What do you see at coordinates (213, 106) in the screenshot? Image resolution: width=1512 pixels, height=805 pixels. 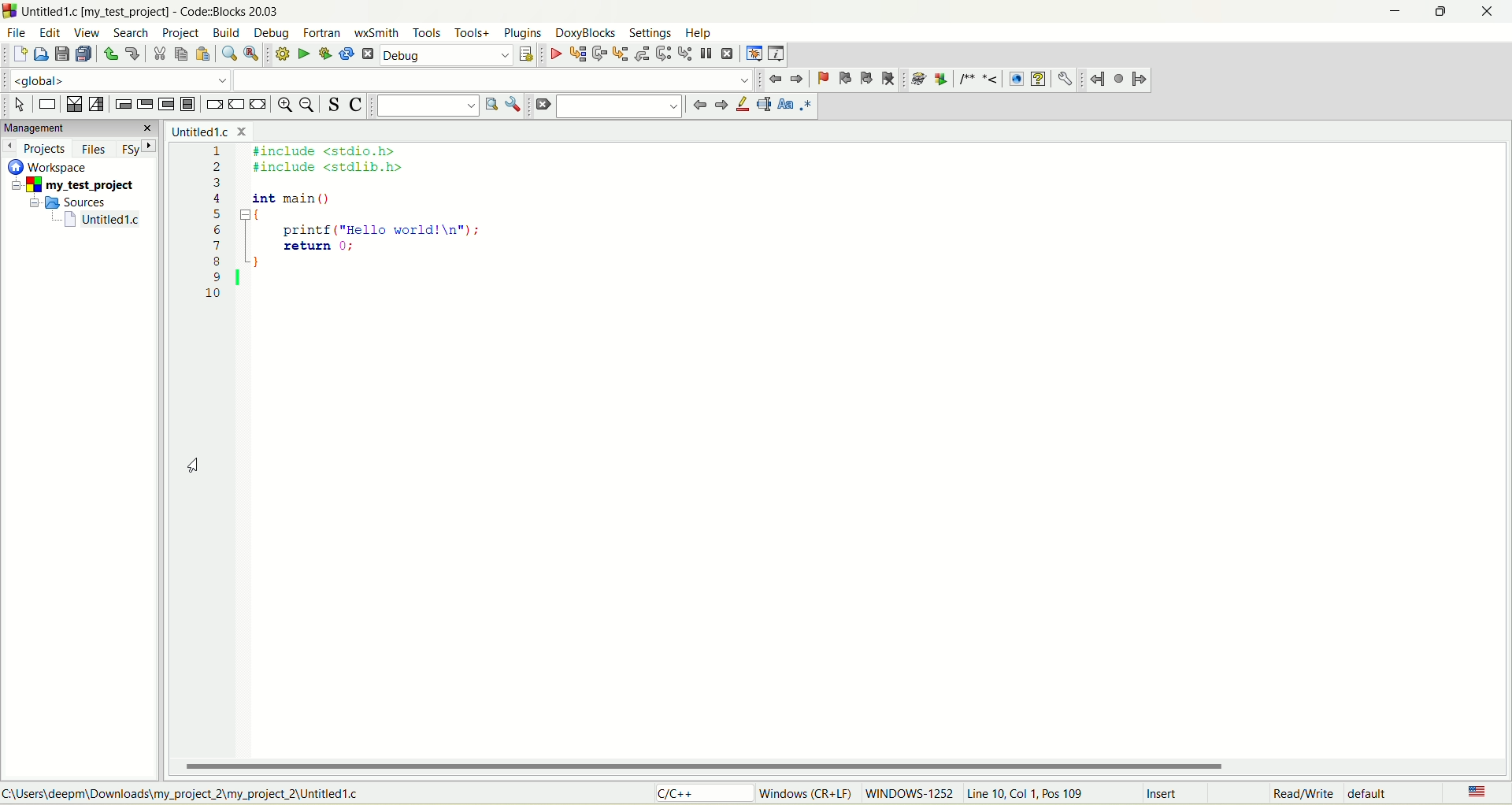 I see `break instruction` at bounding box center [213, 106].